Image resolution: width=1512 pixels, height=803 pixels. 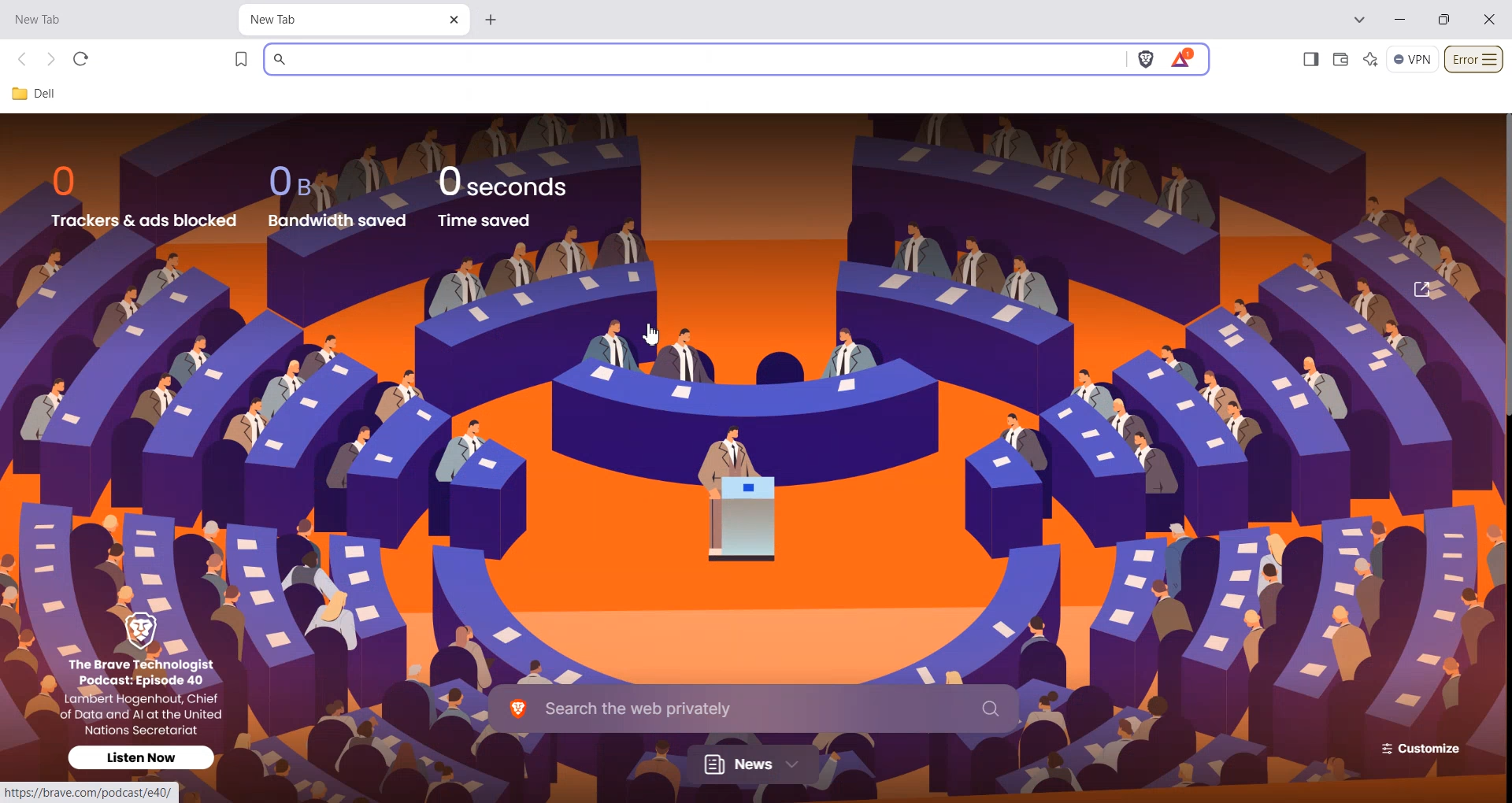 I want to click on Vertical Scrollbar , so click(x=1503, y=265).